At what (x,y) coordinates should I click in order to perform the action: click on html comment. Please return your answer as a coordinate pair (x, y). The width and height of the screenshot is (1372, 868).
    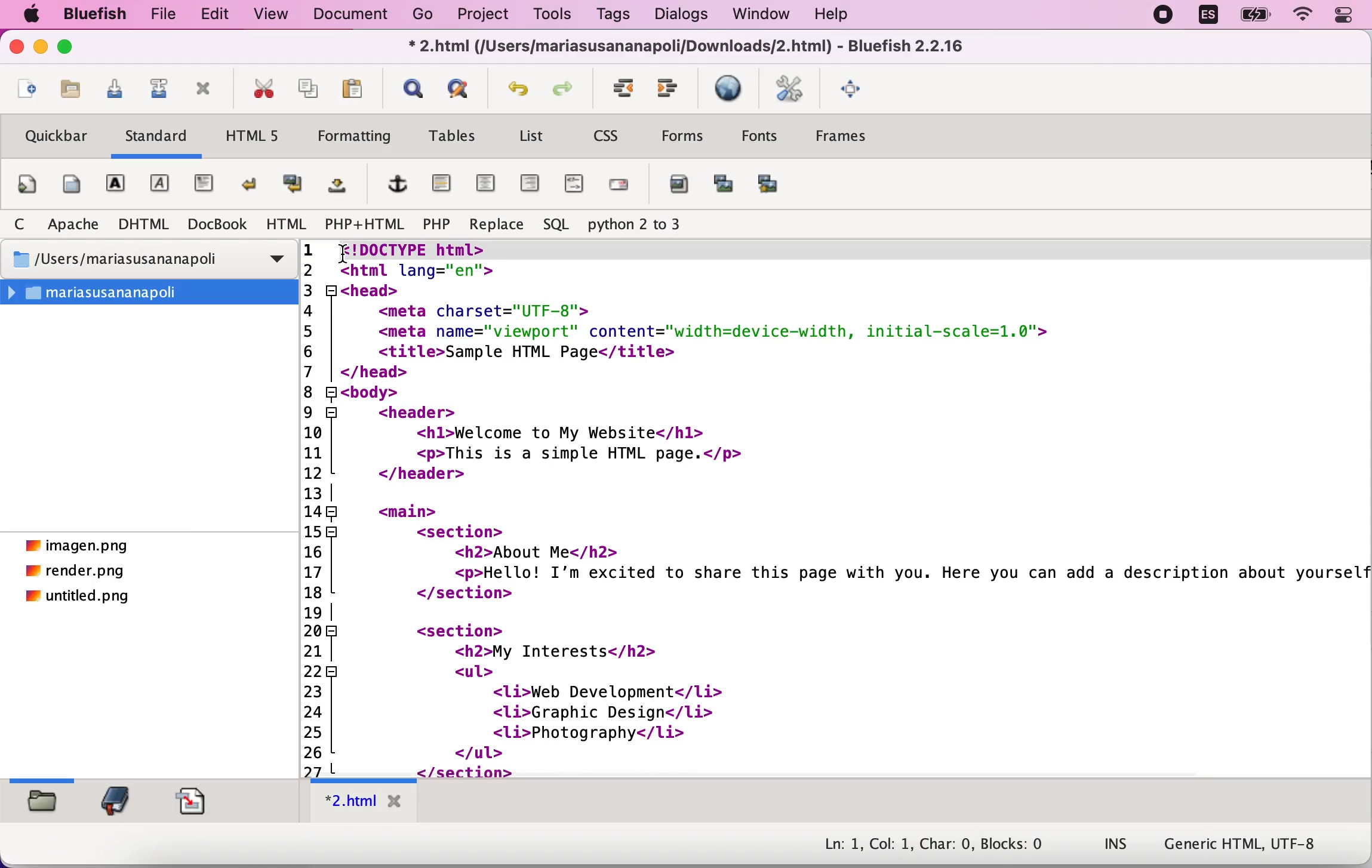
    Looking at the image, I should click on (570, 184).